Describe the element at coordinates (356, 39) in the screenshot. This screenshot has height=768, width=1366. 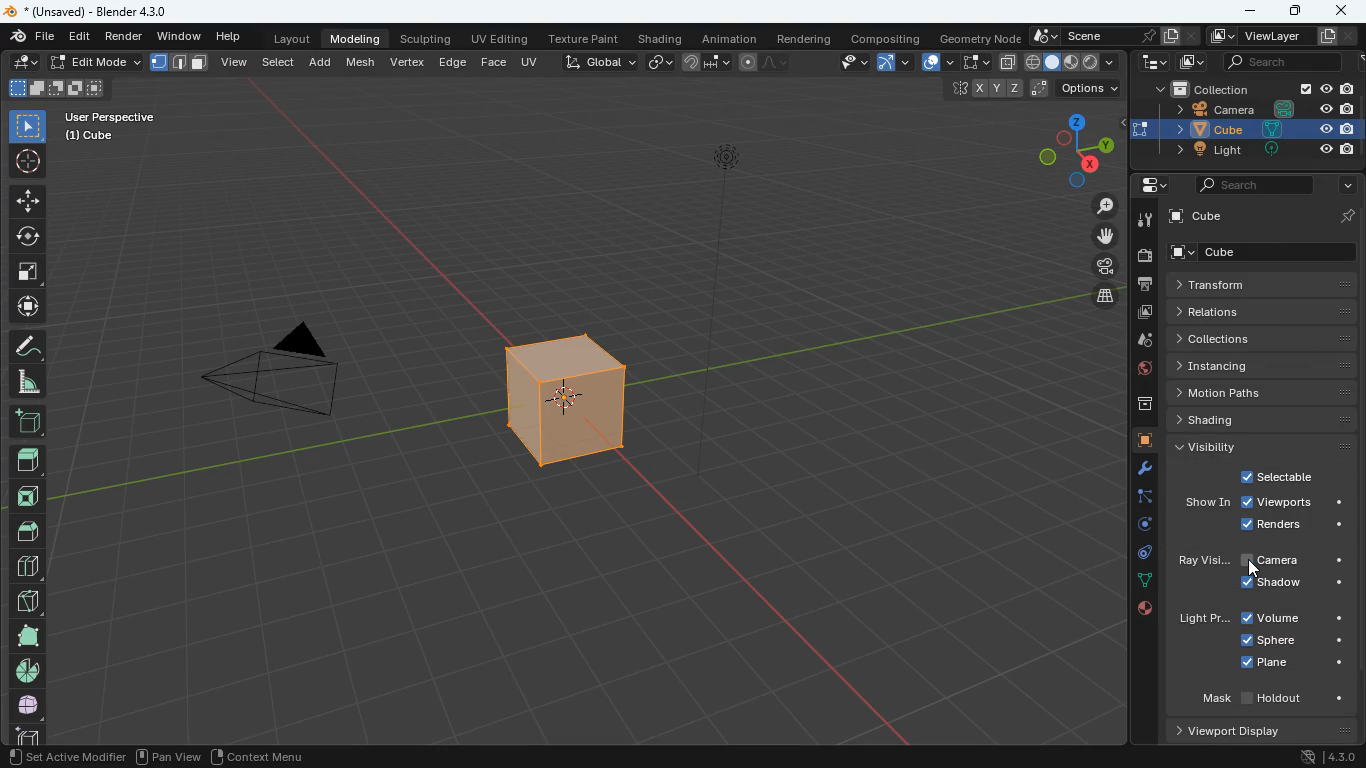
I see `modeling` at that location.